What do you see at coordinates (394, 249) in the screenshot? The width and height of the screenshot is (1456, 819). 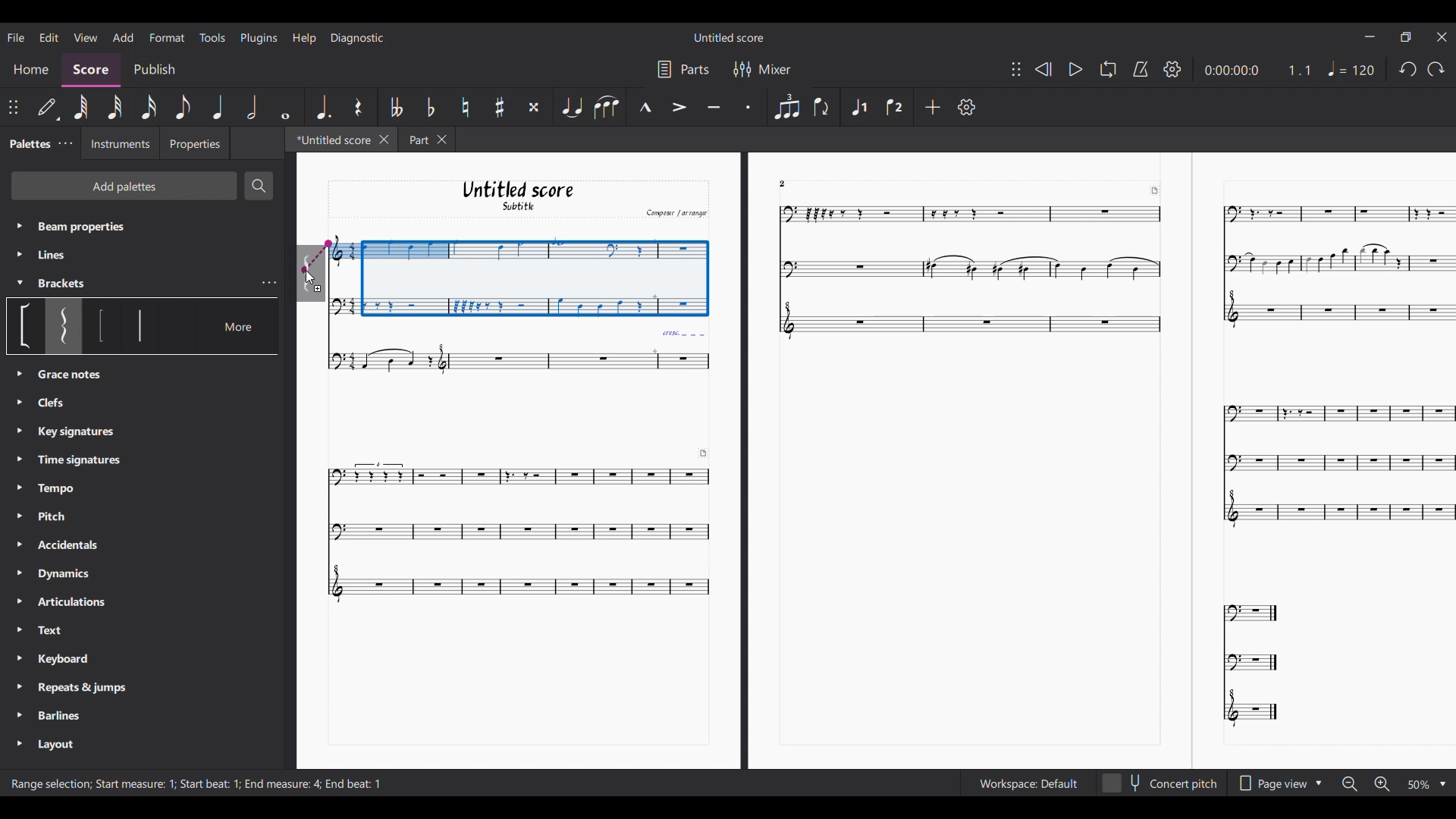 I see `selected` at bounding box center [394, 249].